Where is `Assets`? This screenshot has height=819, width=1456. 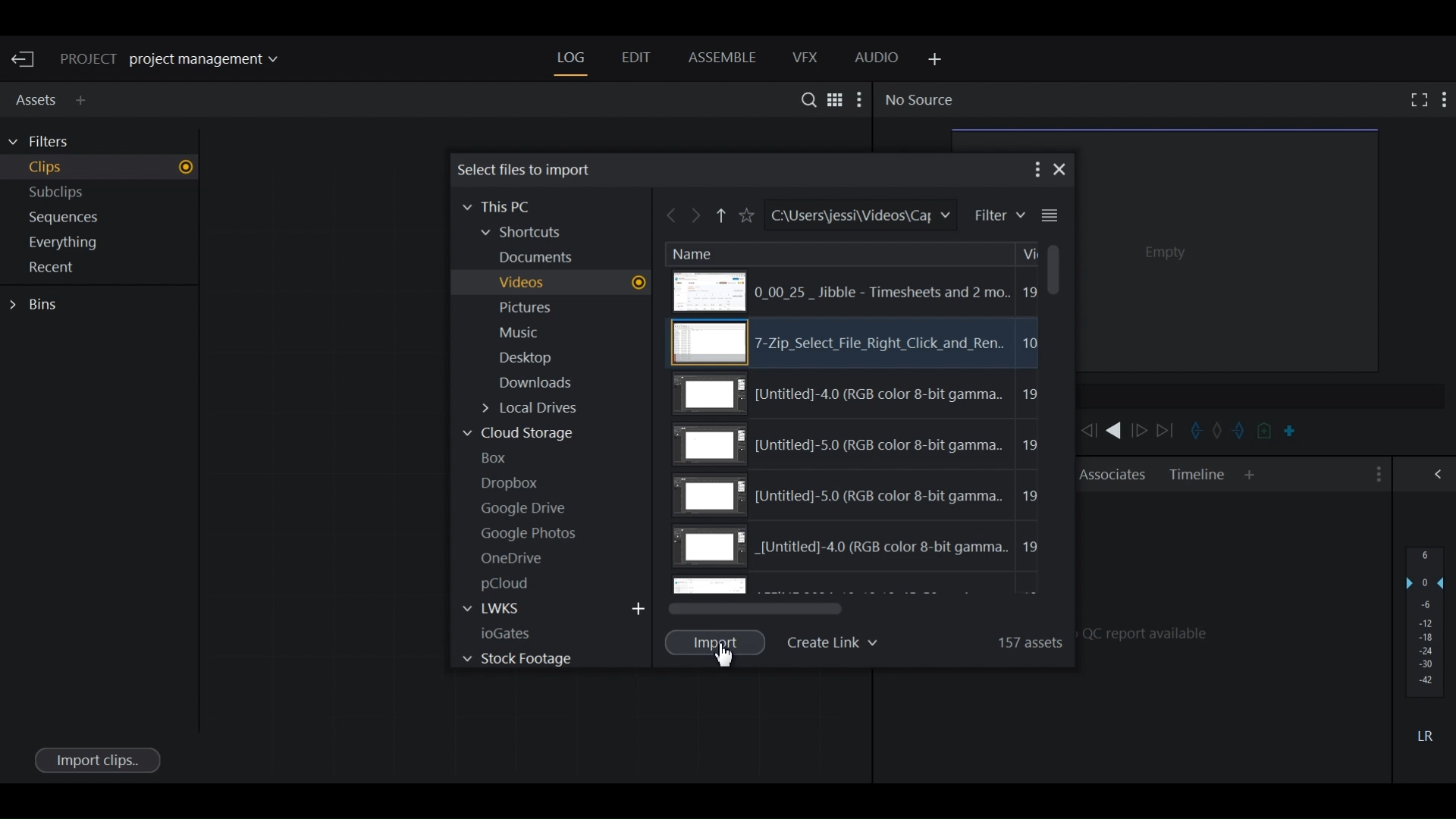
Assets is located at coordinates (33, 98).